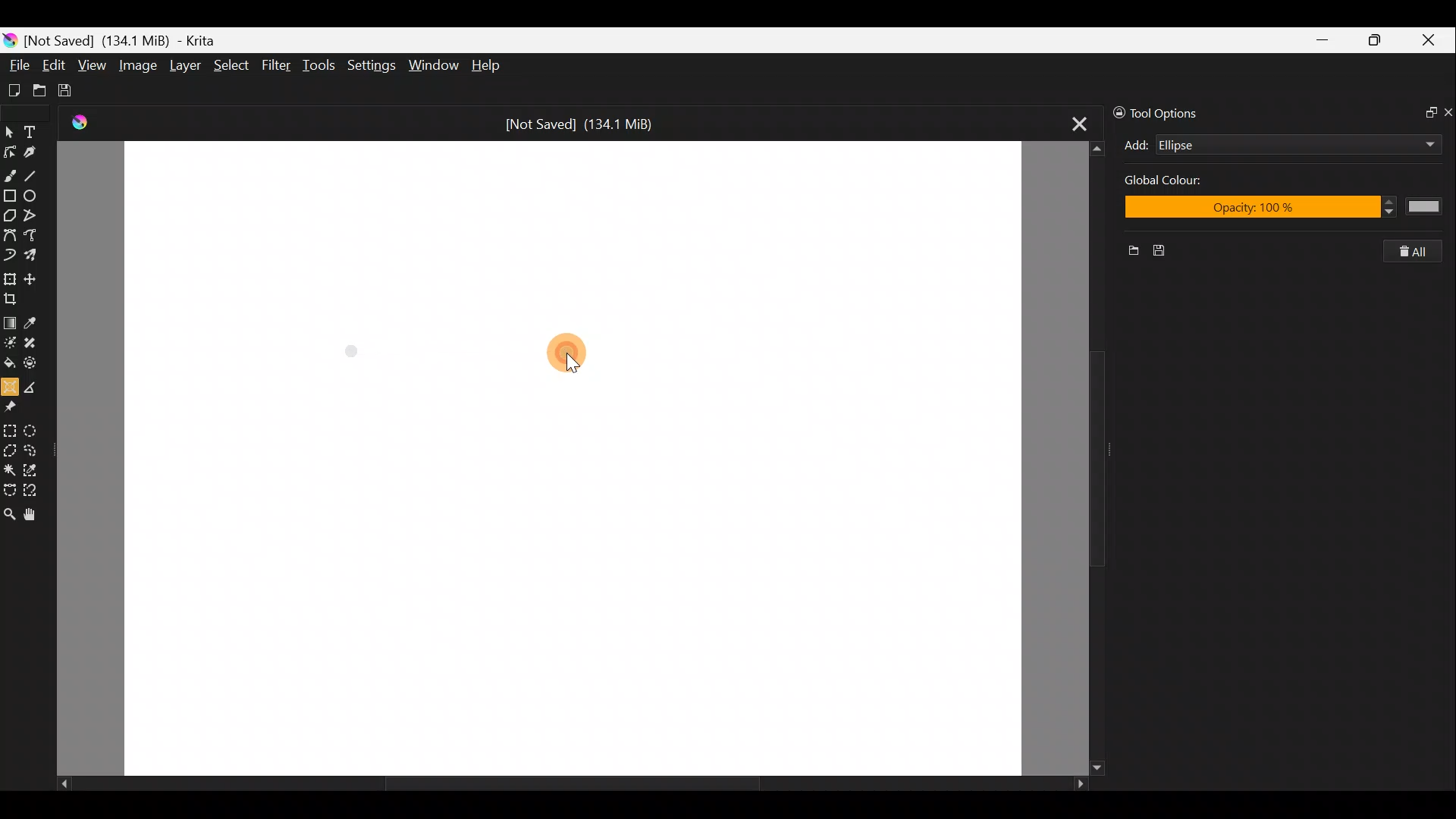  Describe the element at coordinates (12, 149) in the screenshot. I see `Edit shapes tool` at that location.